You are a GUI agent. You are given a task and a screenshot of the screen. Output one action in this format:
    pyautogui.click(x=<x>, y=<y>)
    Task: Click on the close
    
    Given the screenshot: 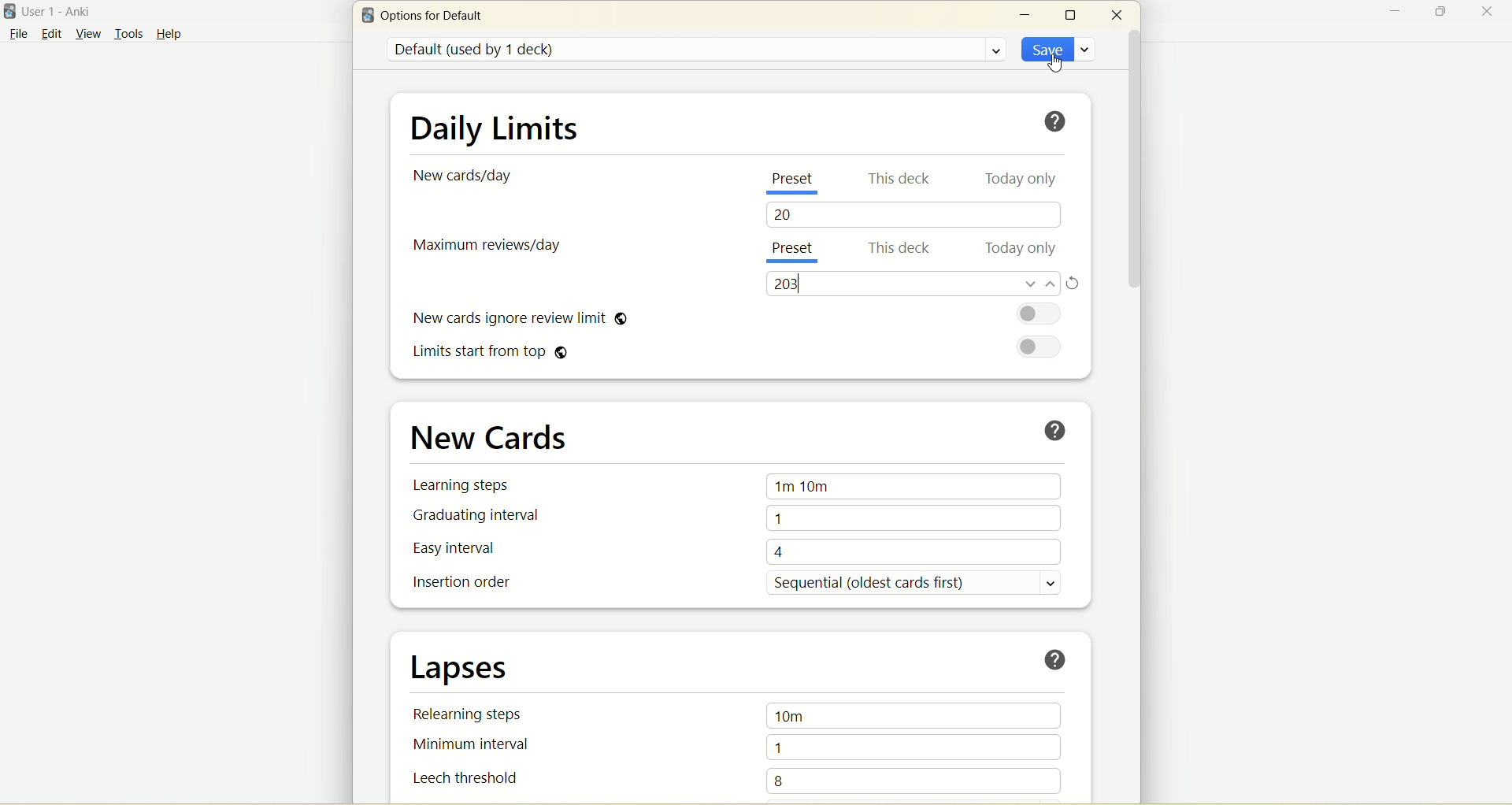 What is the action you would take?
    pyautogui.click(x=1119, y=14)
    